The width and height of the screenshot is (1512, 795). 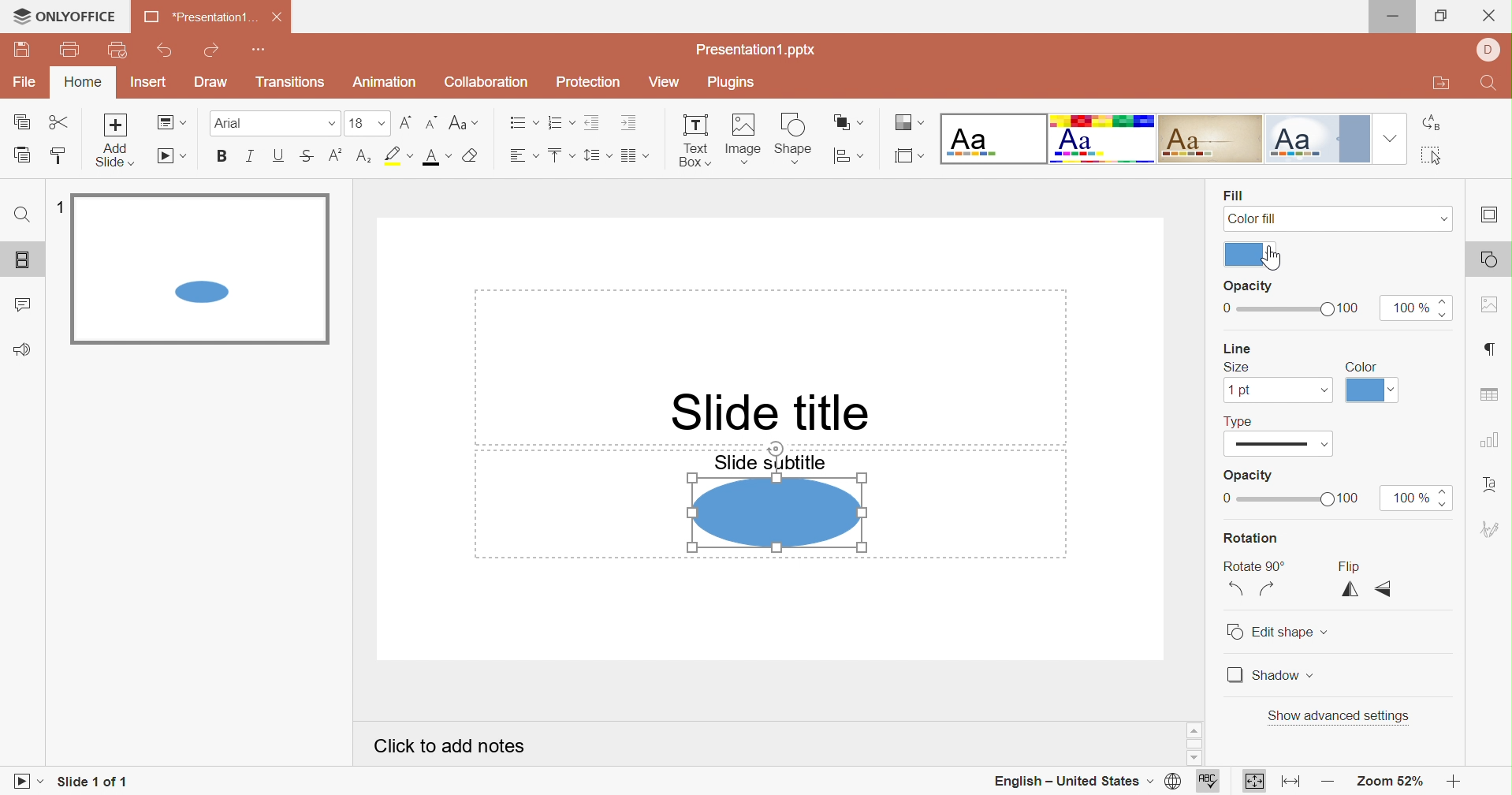 What do you see at coordinates (1491, 215) in the screenshot?
I see `Slide settings` at bounding box center [1491, 215].